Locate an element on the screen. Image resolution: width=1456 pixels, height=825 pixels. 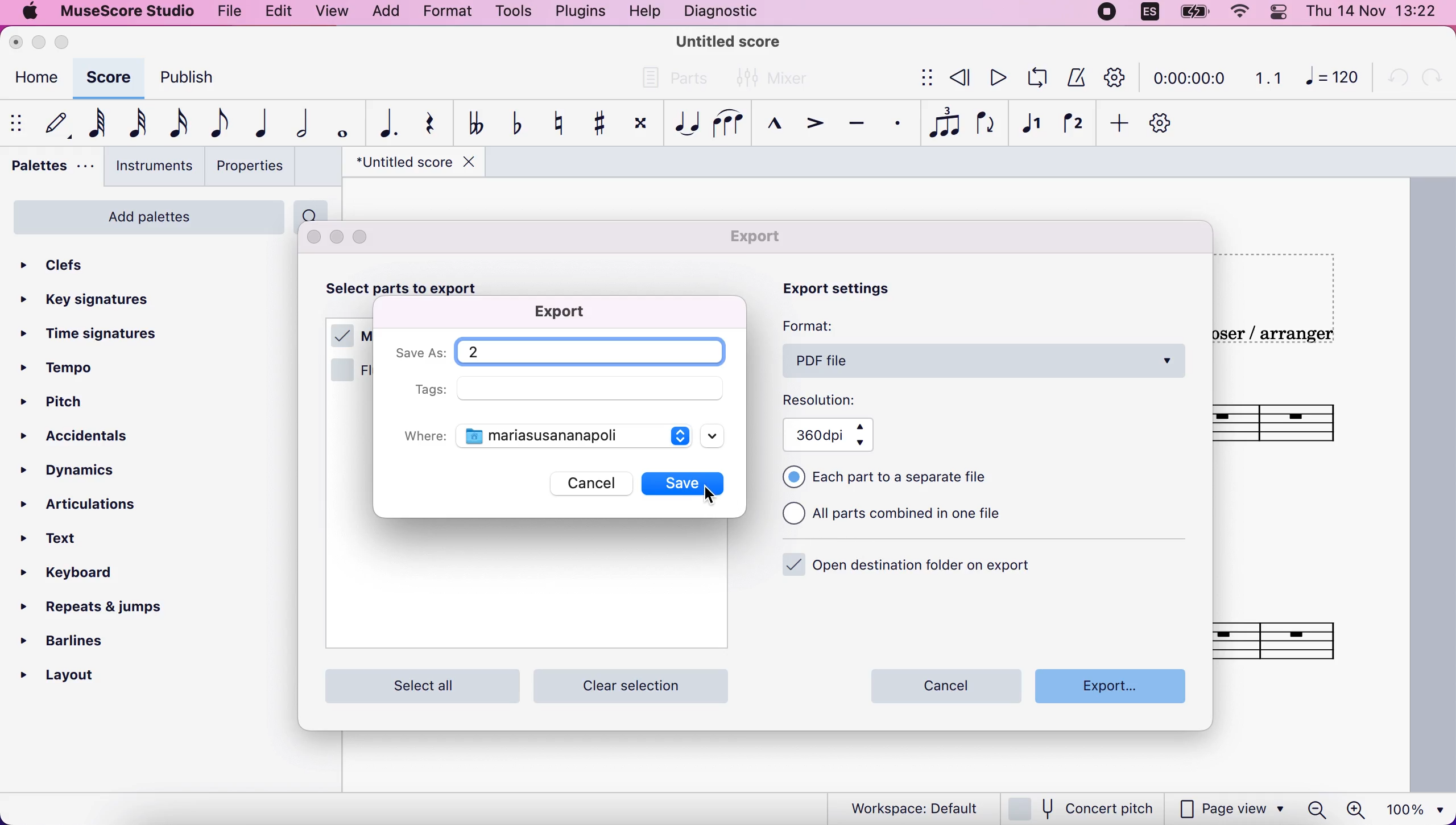
redo is located at coordinates (1432, 81).